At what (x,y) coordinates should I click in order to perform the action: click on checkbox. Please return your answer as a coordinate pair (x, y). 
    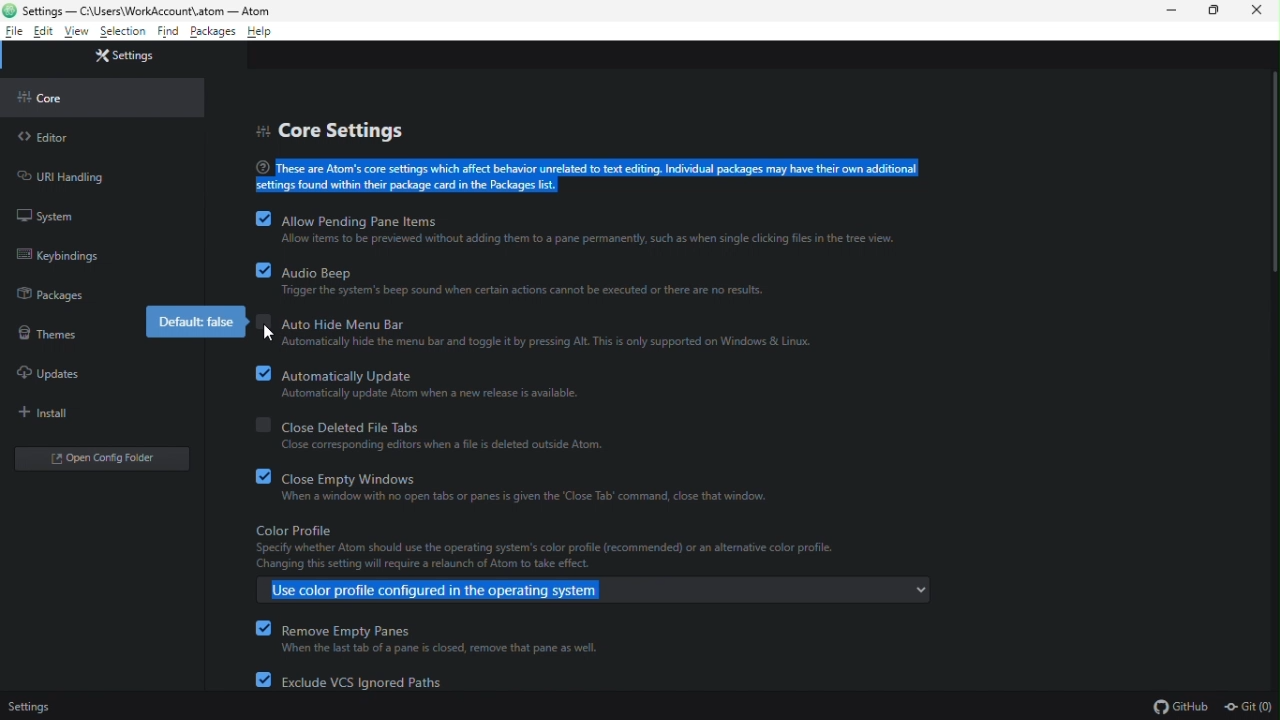
    Looking at the image, I should click on (256, 375).